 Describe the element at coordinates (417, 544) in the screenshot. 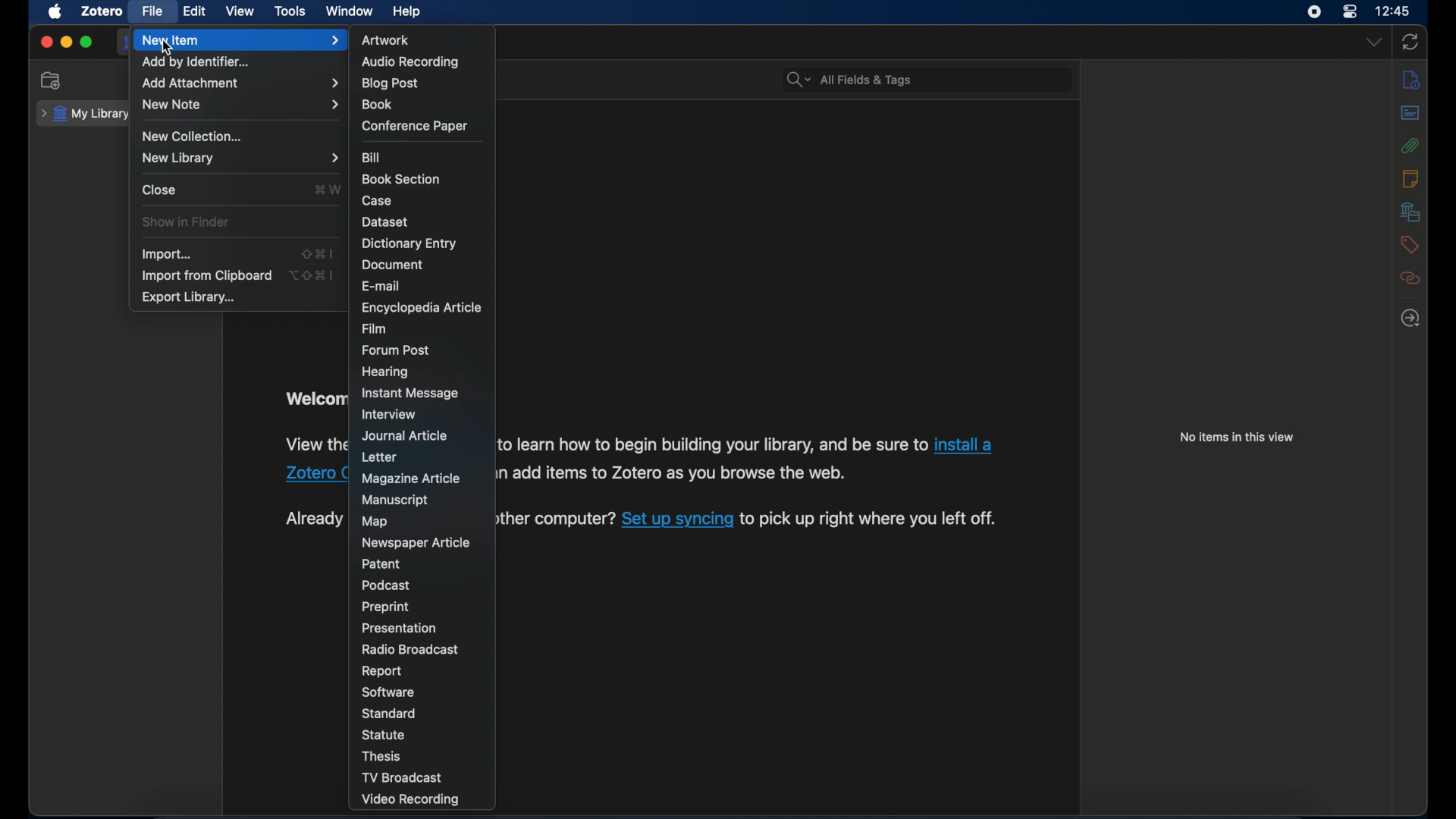

I see `newspaper article` at that location.